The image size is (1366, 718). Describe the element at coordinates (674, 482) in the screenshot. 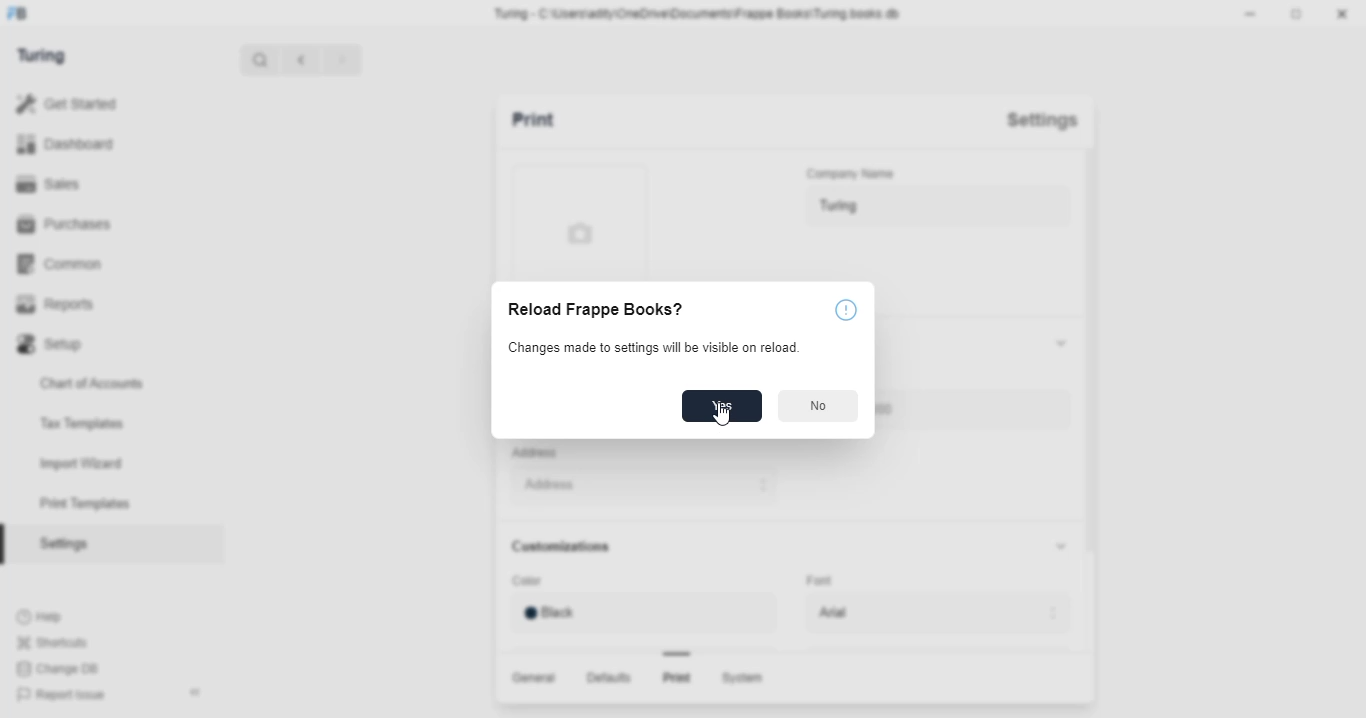

I see `Address ` at that location.